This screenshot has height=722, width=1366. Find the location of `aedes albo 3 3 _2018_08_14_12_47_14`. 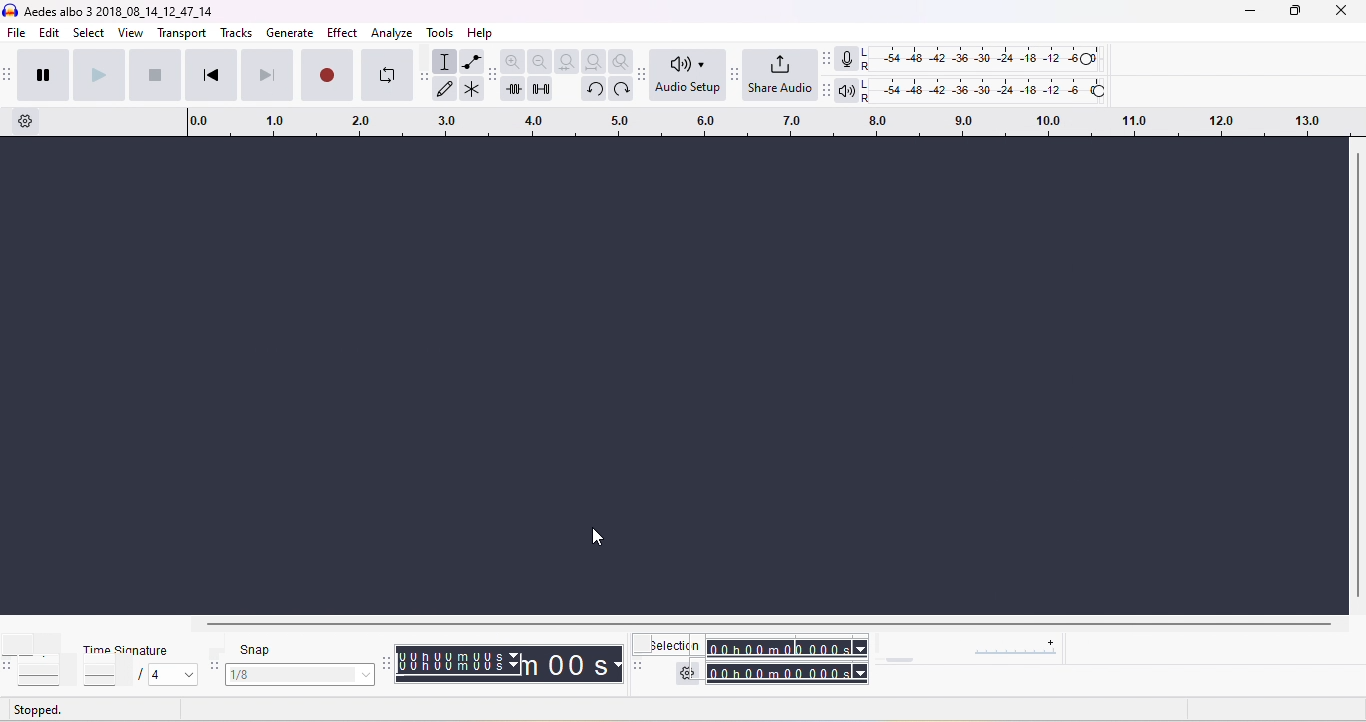

aedes albo 3 3 _2018_08_14_12_47_14 is located at coordinates (109, 11).